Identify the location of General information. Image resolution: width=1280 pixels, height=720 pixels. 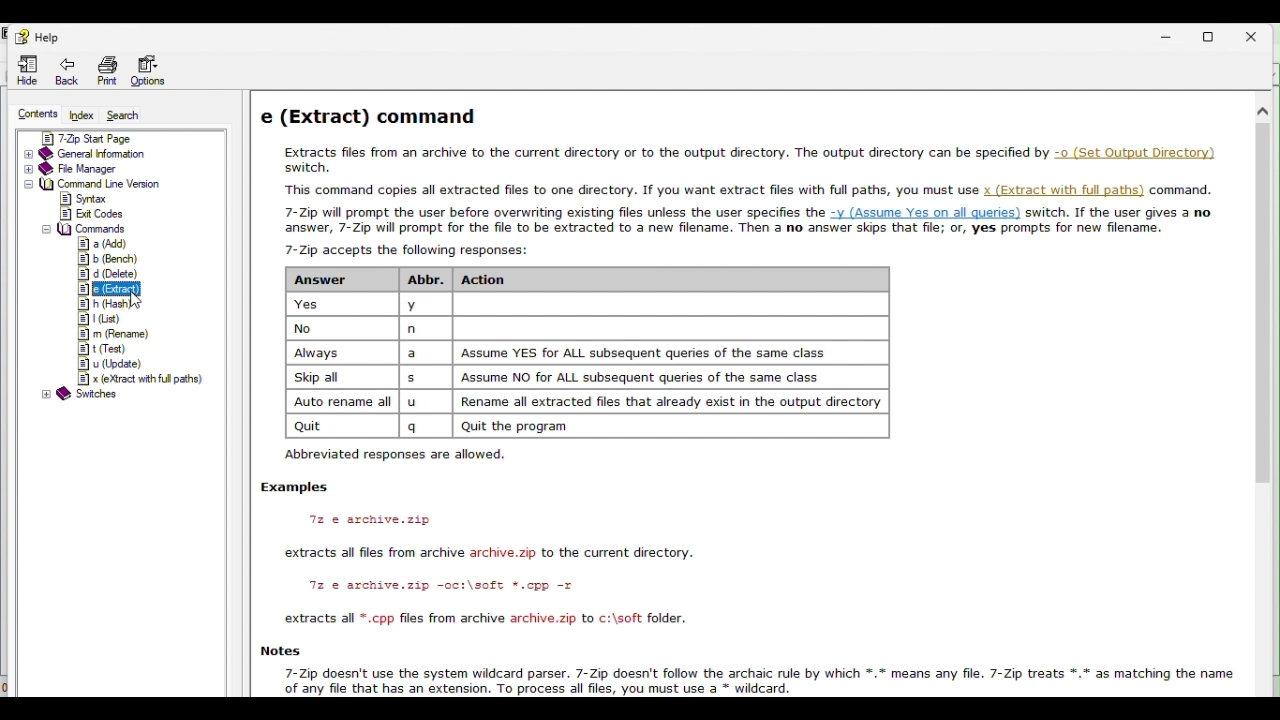
(108, 154).